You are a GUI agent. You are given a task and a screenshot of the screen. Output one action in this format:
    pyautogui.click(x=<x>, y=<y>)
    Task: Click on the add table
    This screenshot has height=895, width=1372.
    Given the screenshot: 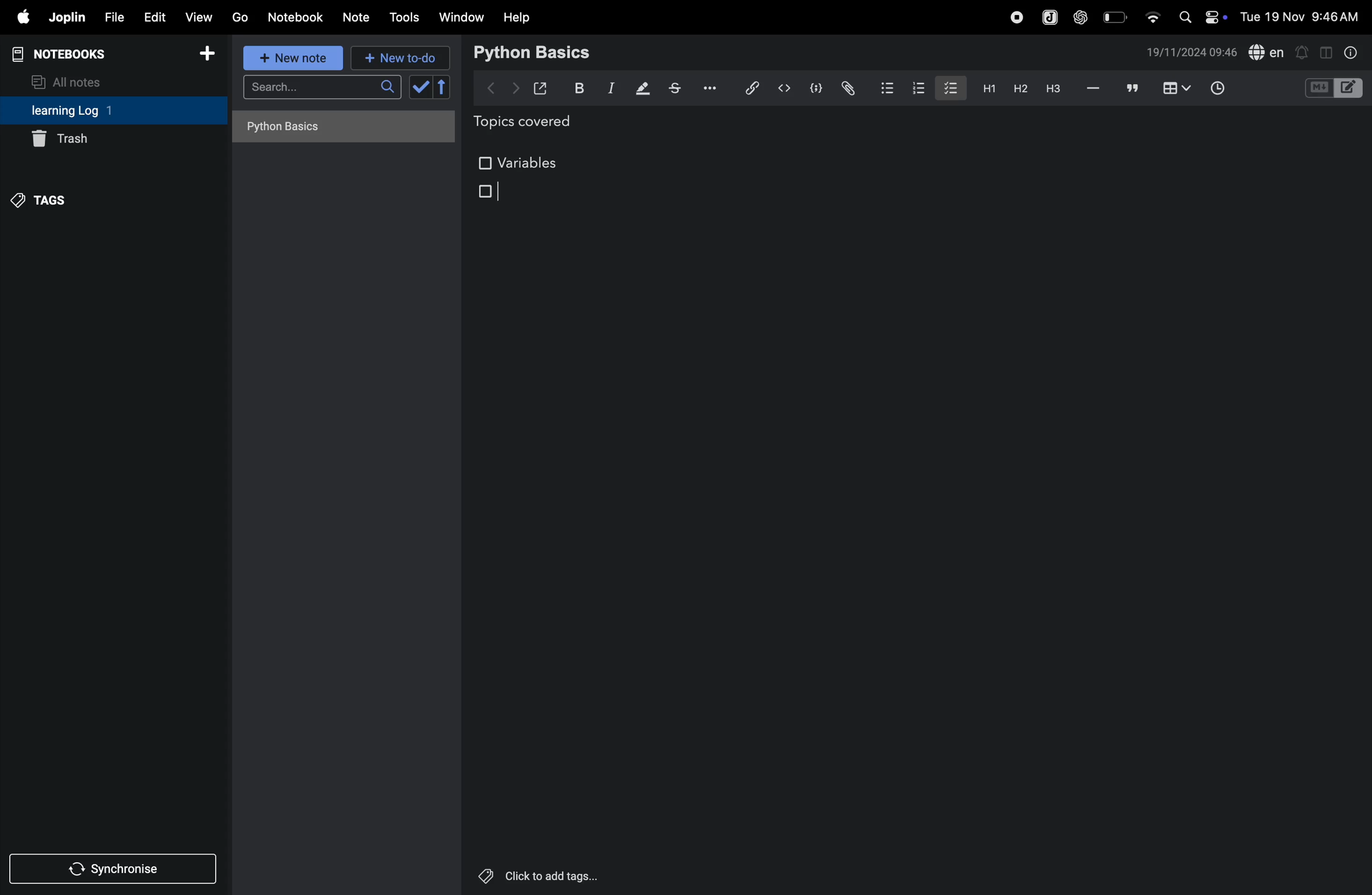 What is the action you would take?
    pyautogui.click(x=1174, y=89)
    